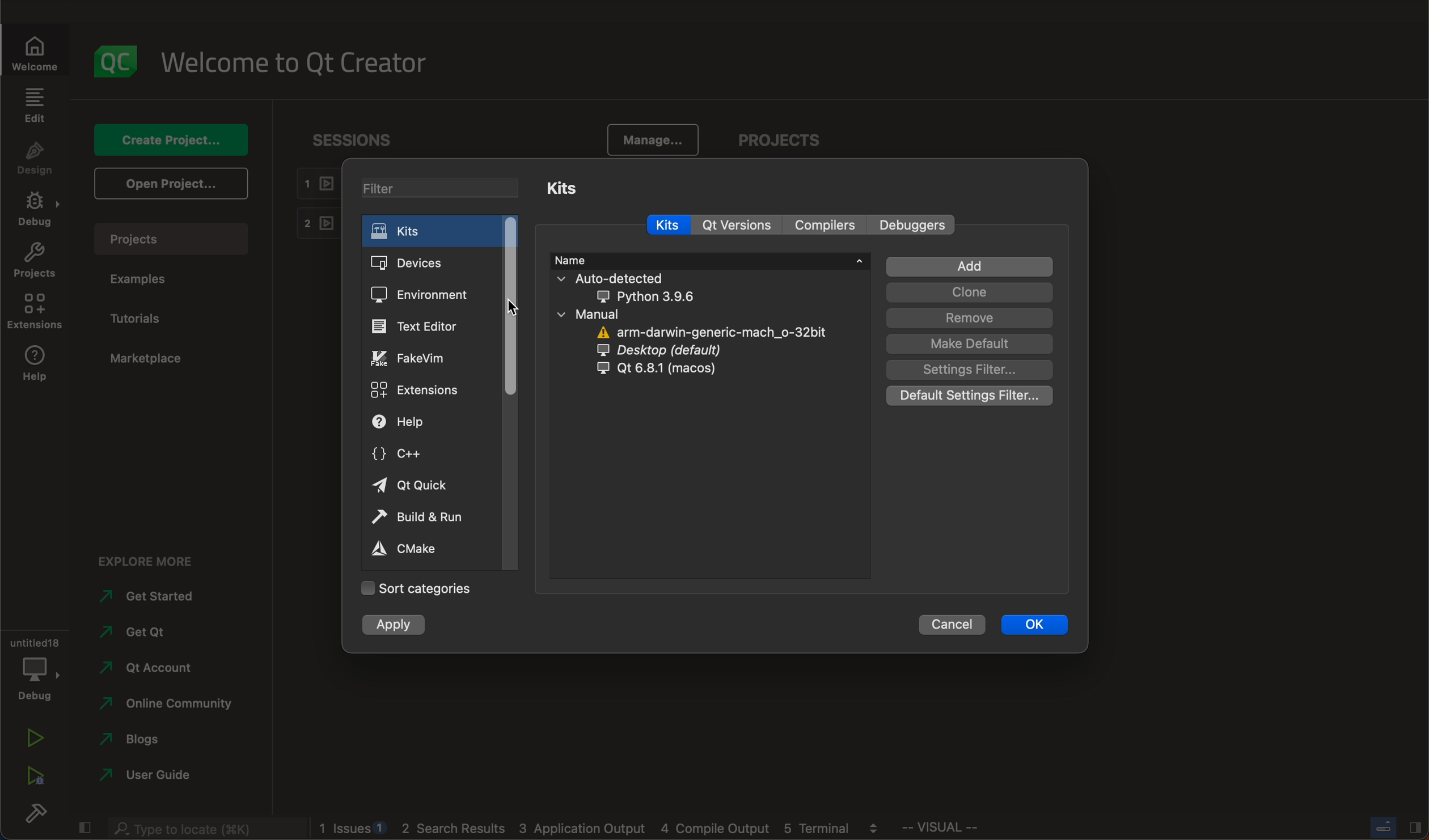 This screenshot has width=1429, height=840. Describe the element at coordinates (510, 307) in the screenshot. I see `scrollbar` at that location.